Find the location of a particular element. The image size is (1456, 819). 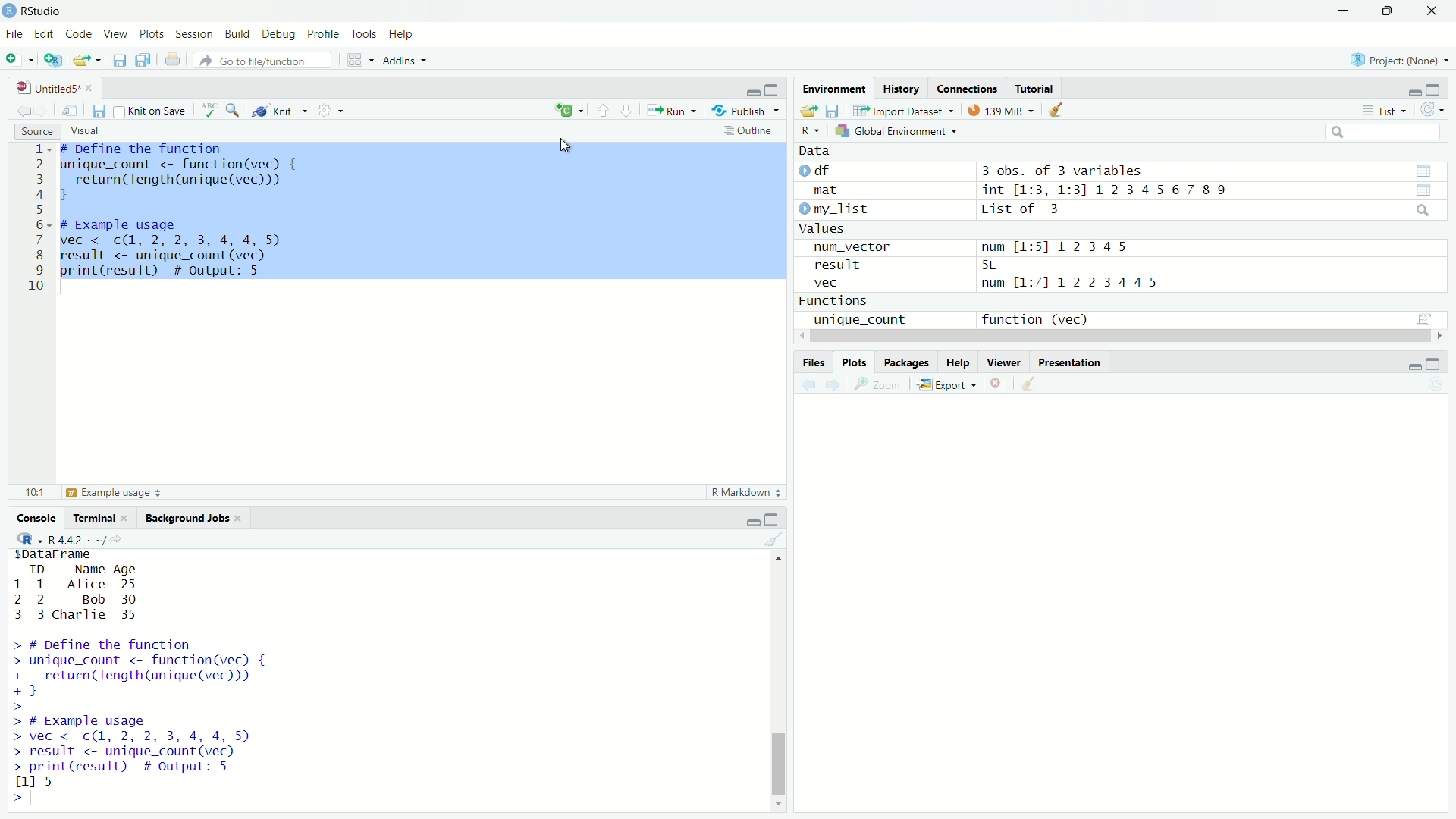

Addins is located at coordinates (403, 61).